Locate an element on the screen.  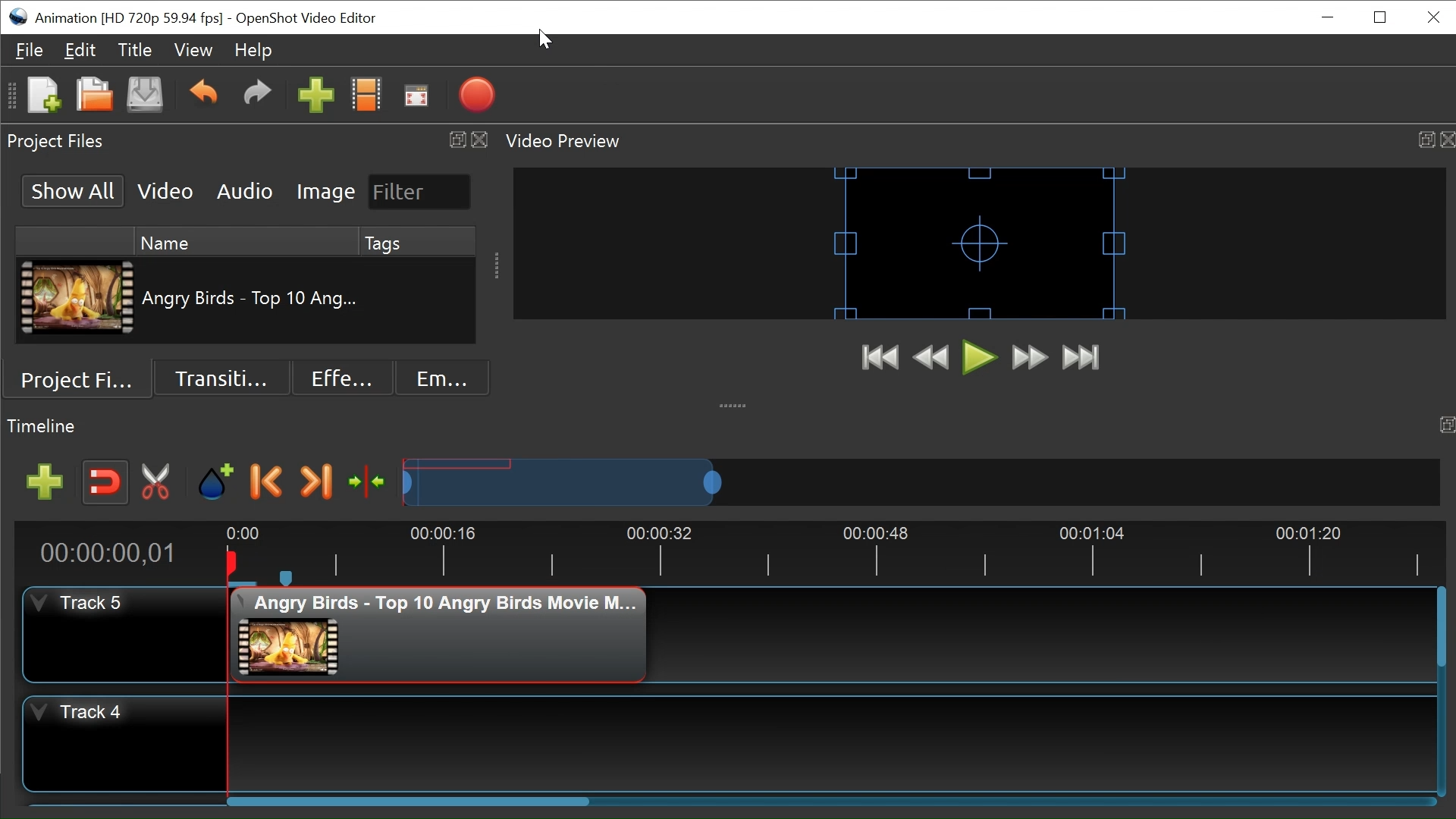
Video is located at coordinates (166, 192).